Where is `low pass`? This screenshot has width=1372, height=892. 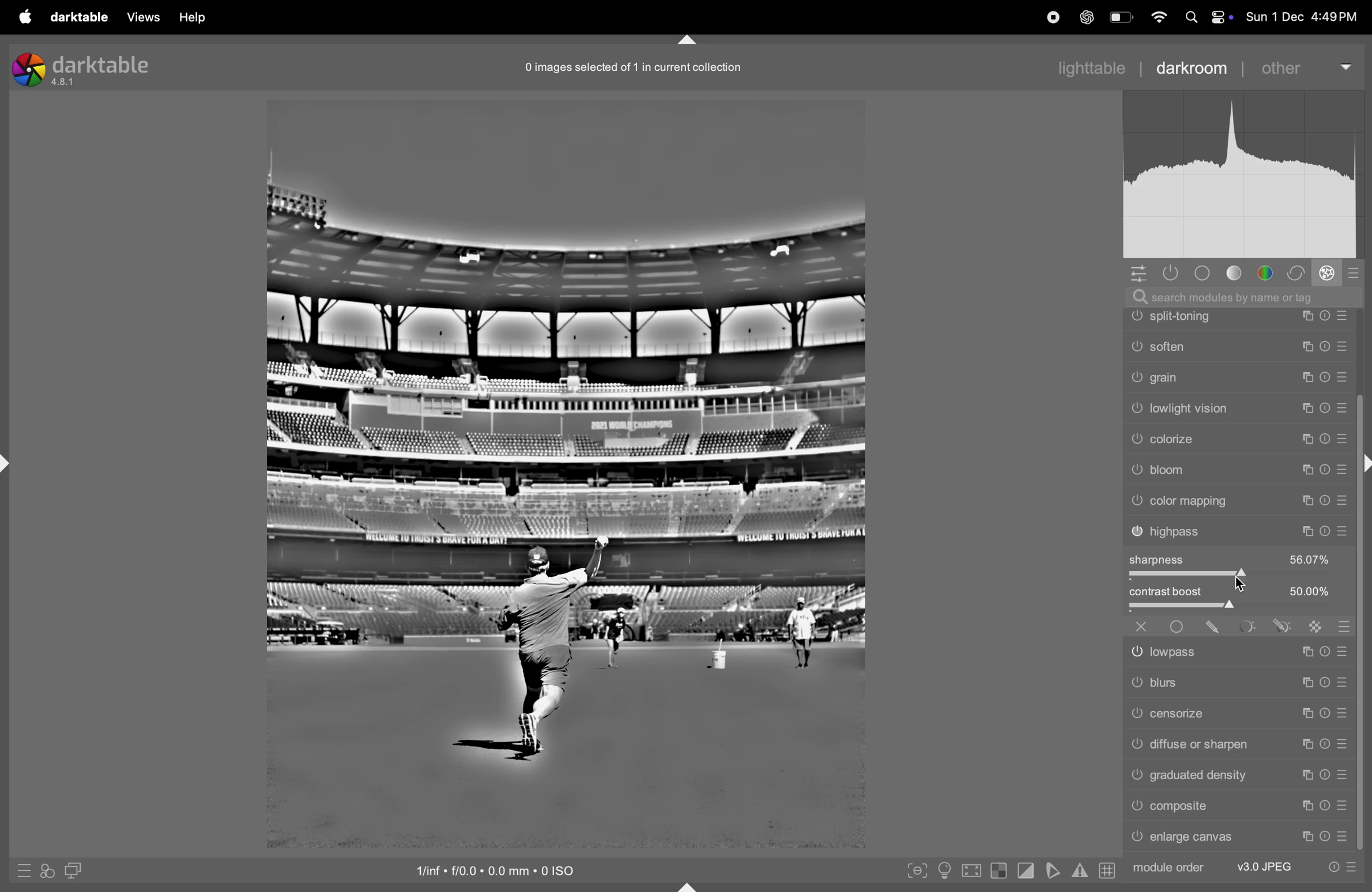
low pass is located at coordinates (1238, 649).